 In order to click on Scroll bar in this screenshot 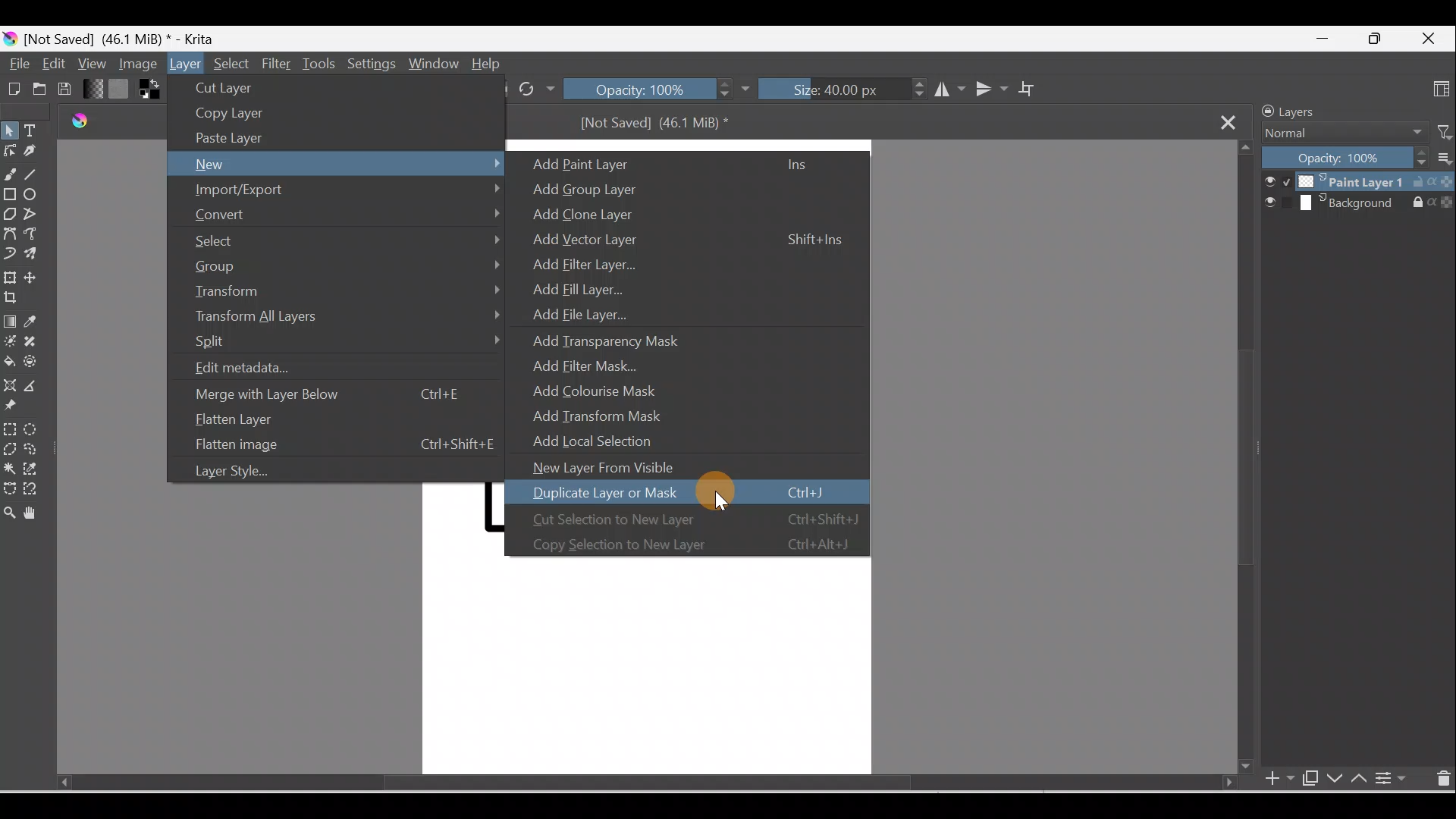, I will do `click(621, 783)`.